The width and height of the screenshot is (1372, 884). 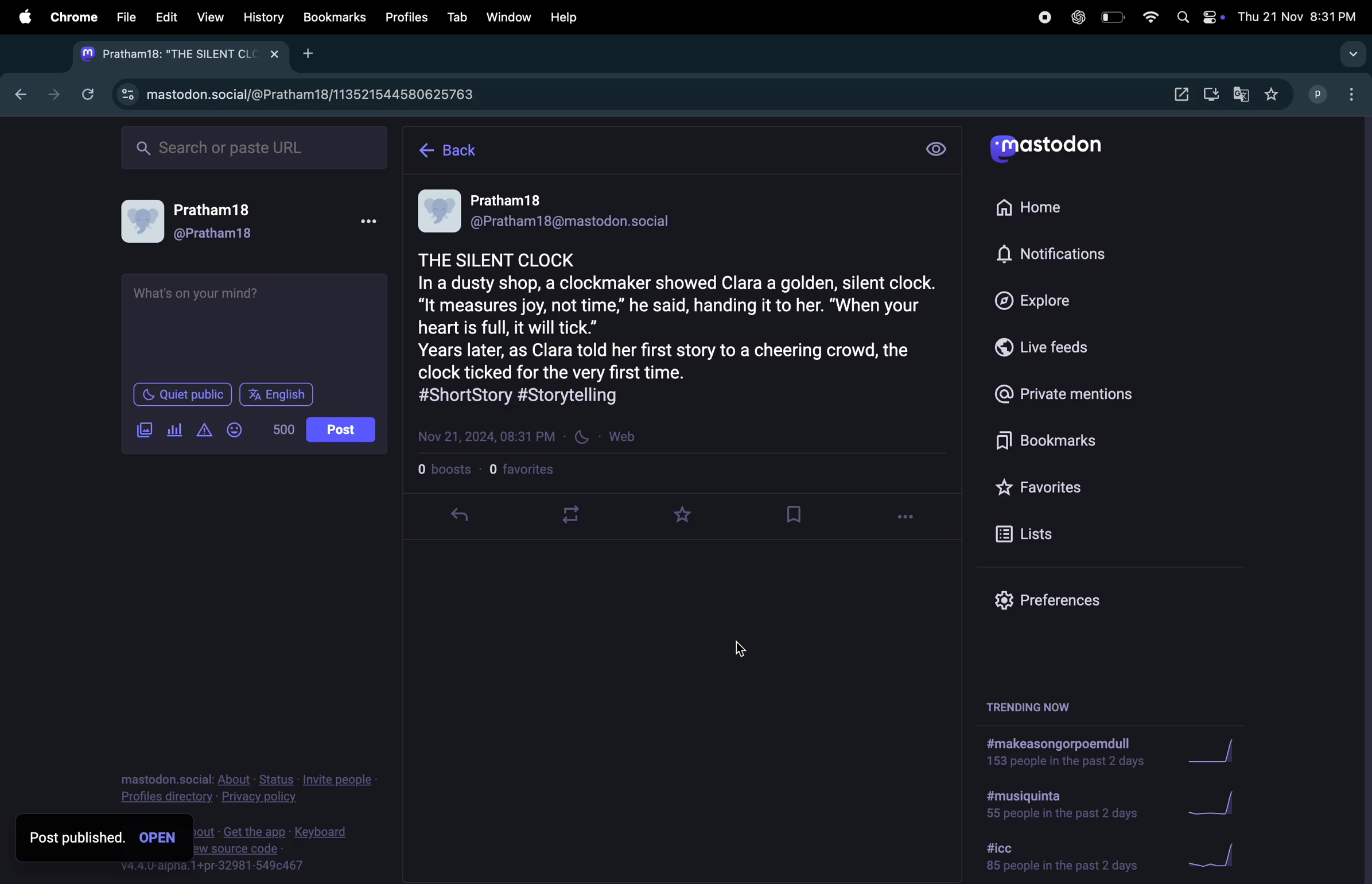 I want to click on web, so click(x=619, y=436).